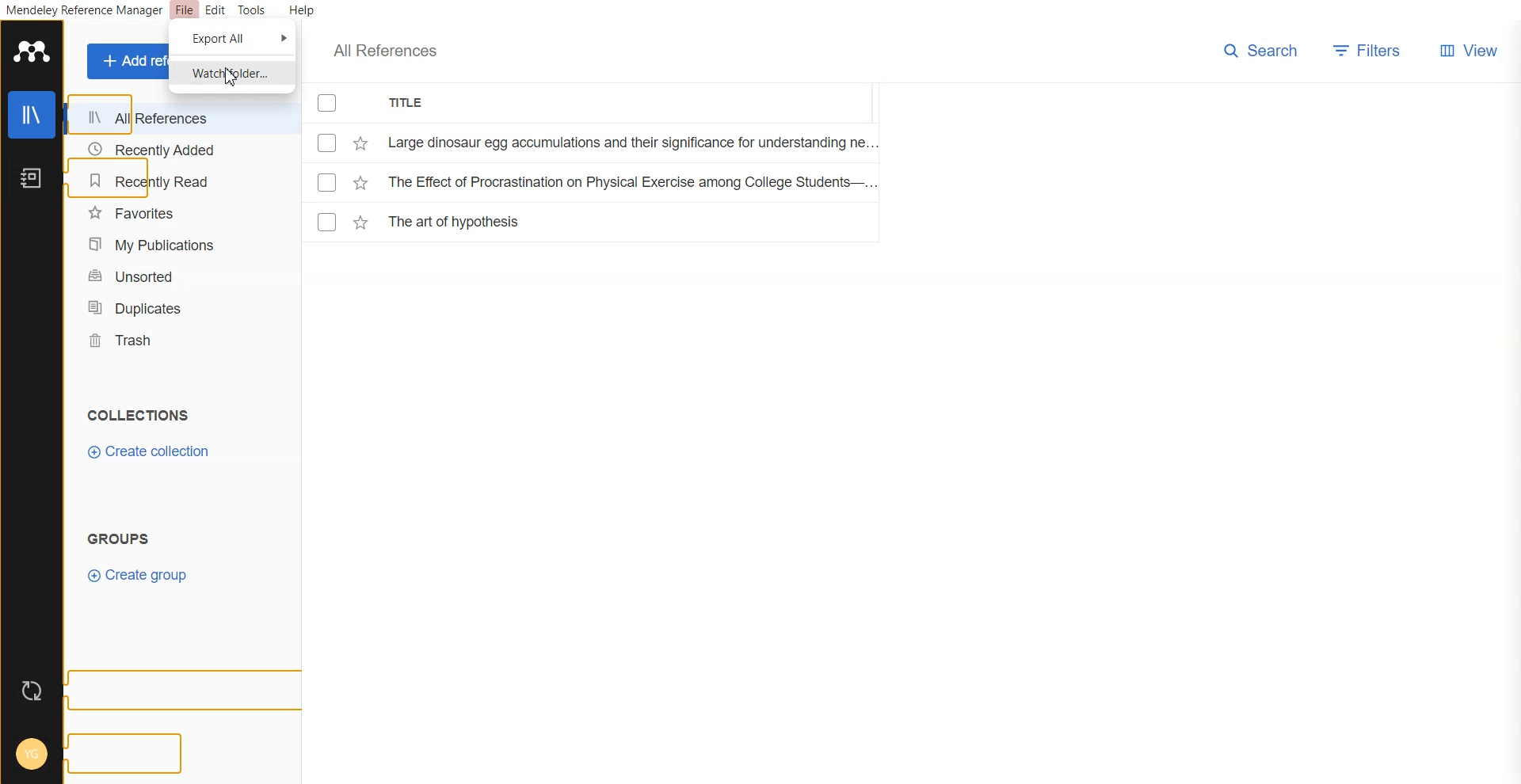  What do you see at coordinates (1371, 51) in the screenshot?
I see `Filters` at bounding box center [1371, 51].